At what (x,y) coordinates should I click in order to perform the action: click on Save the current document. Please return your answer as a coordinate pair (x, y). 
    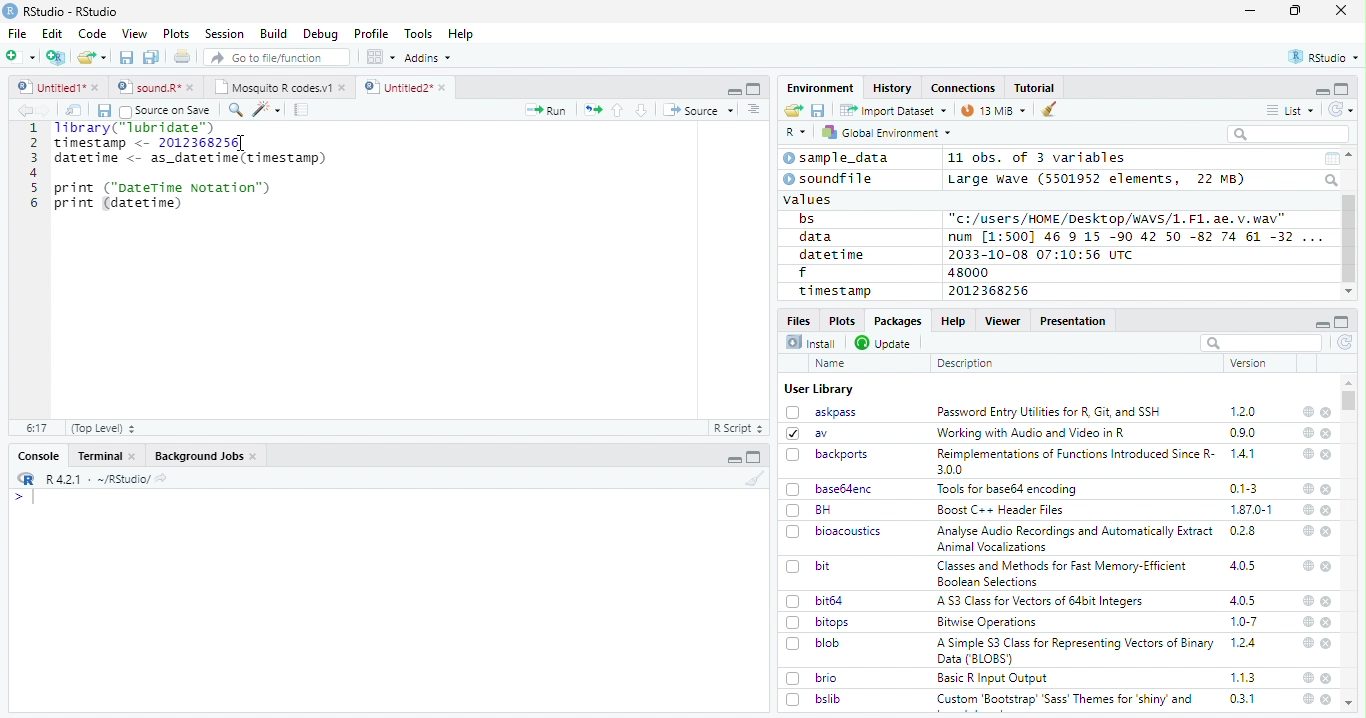
    Looking at the image, I should click on (127, 58).